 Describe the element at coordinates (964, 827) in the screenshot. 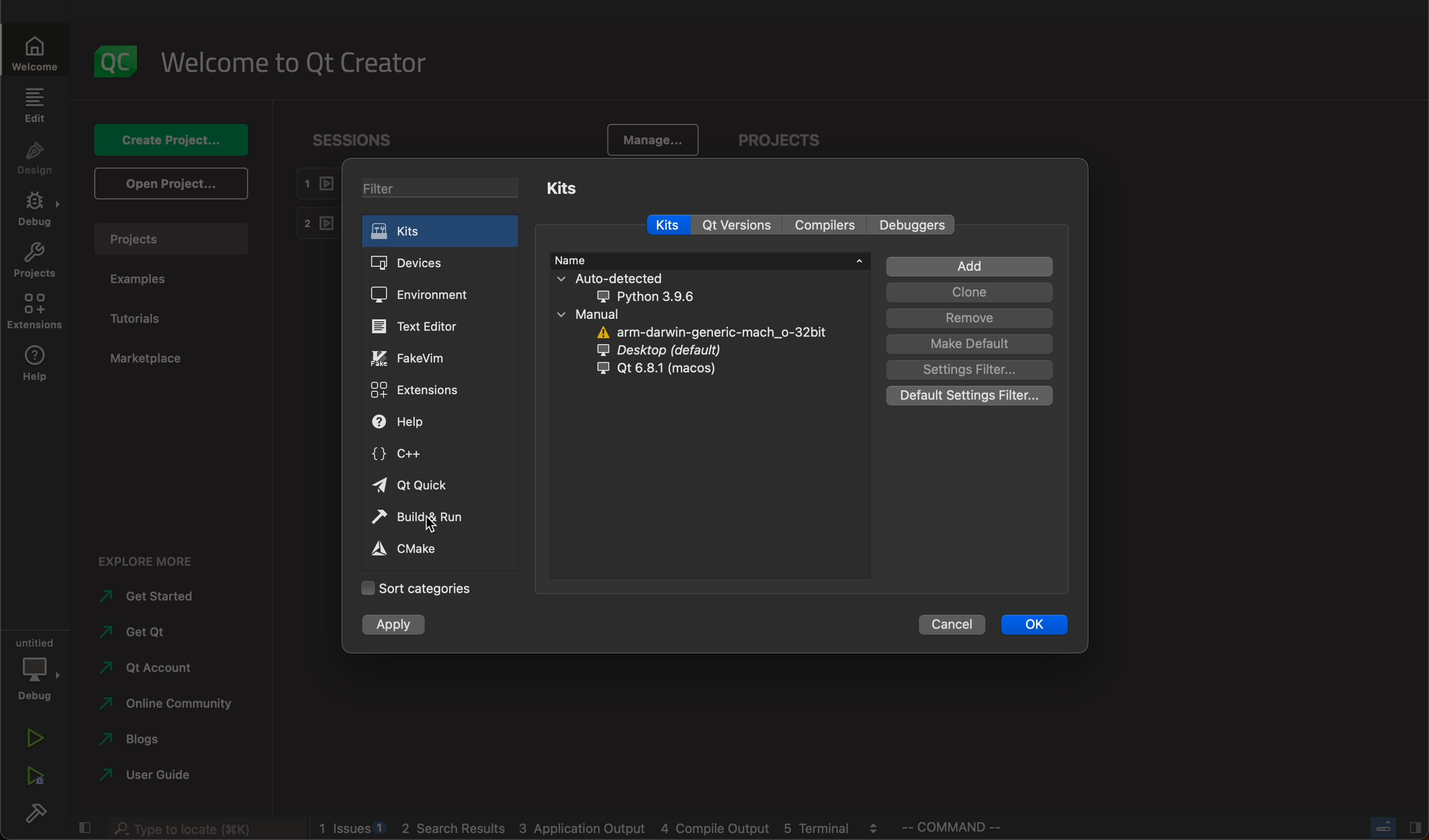

I see `command` at that location.